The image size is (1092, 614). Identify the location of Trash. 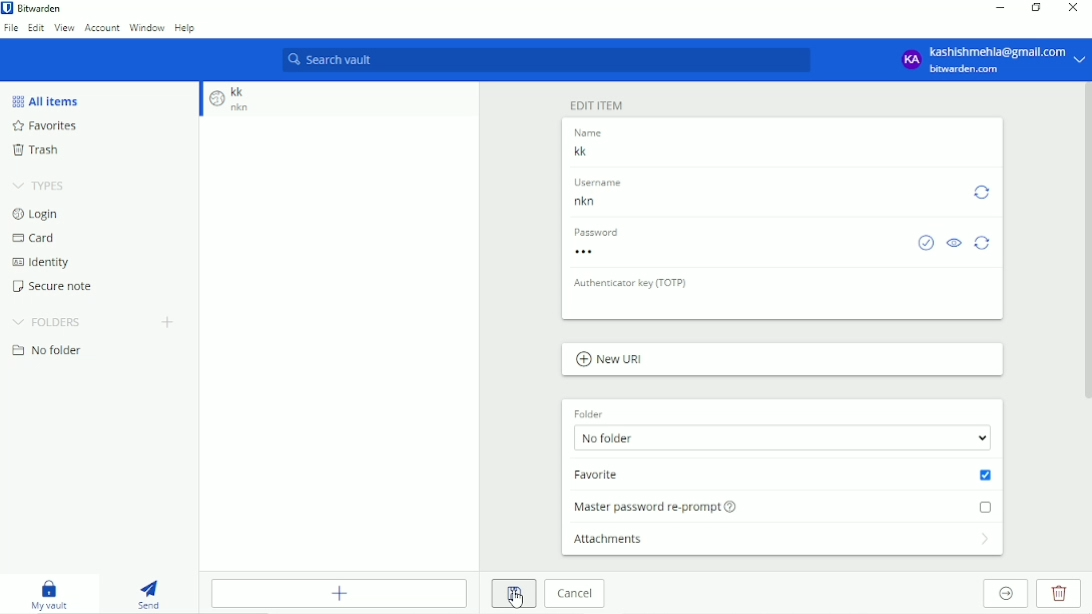
(39, 150).